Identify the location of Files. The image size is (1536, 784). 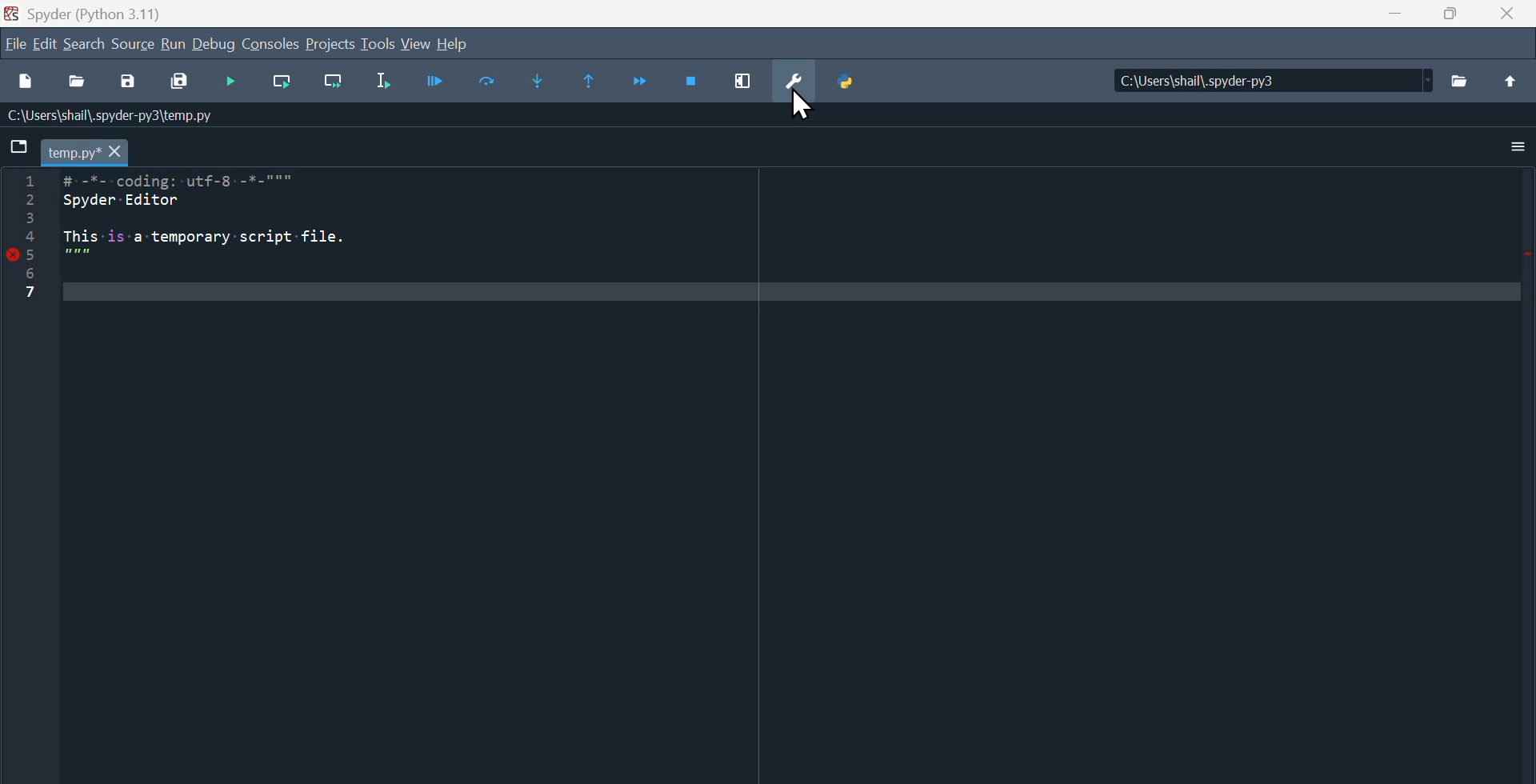
(1462, 88).